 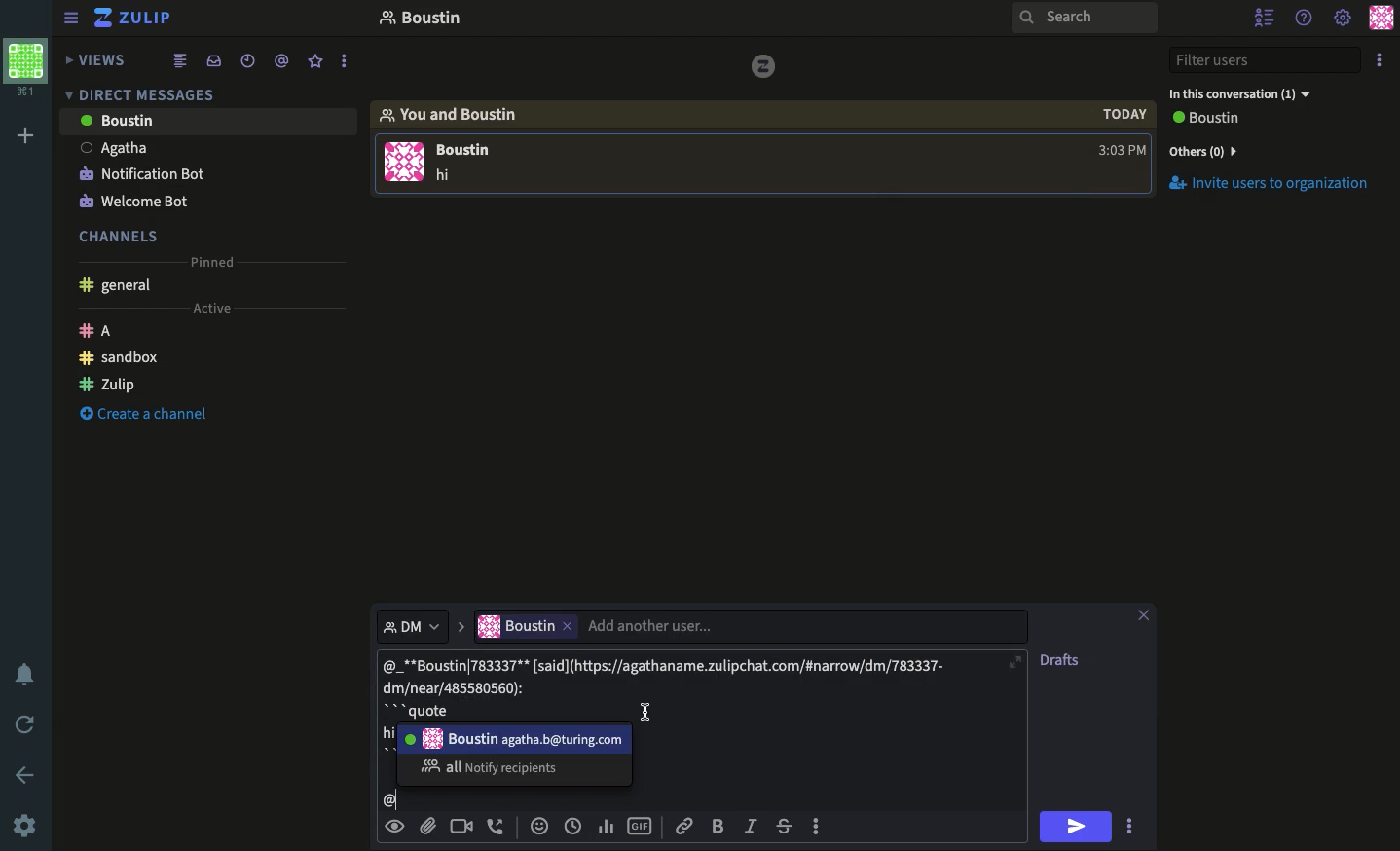 I want to click on User, so click(x=208, y=120).